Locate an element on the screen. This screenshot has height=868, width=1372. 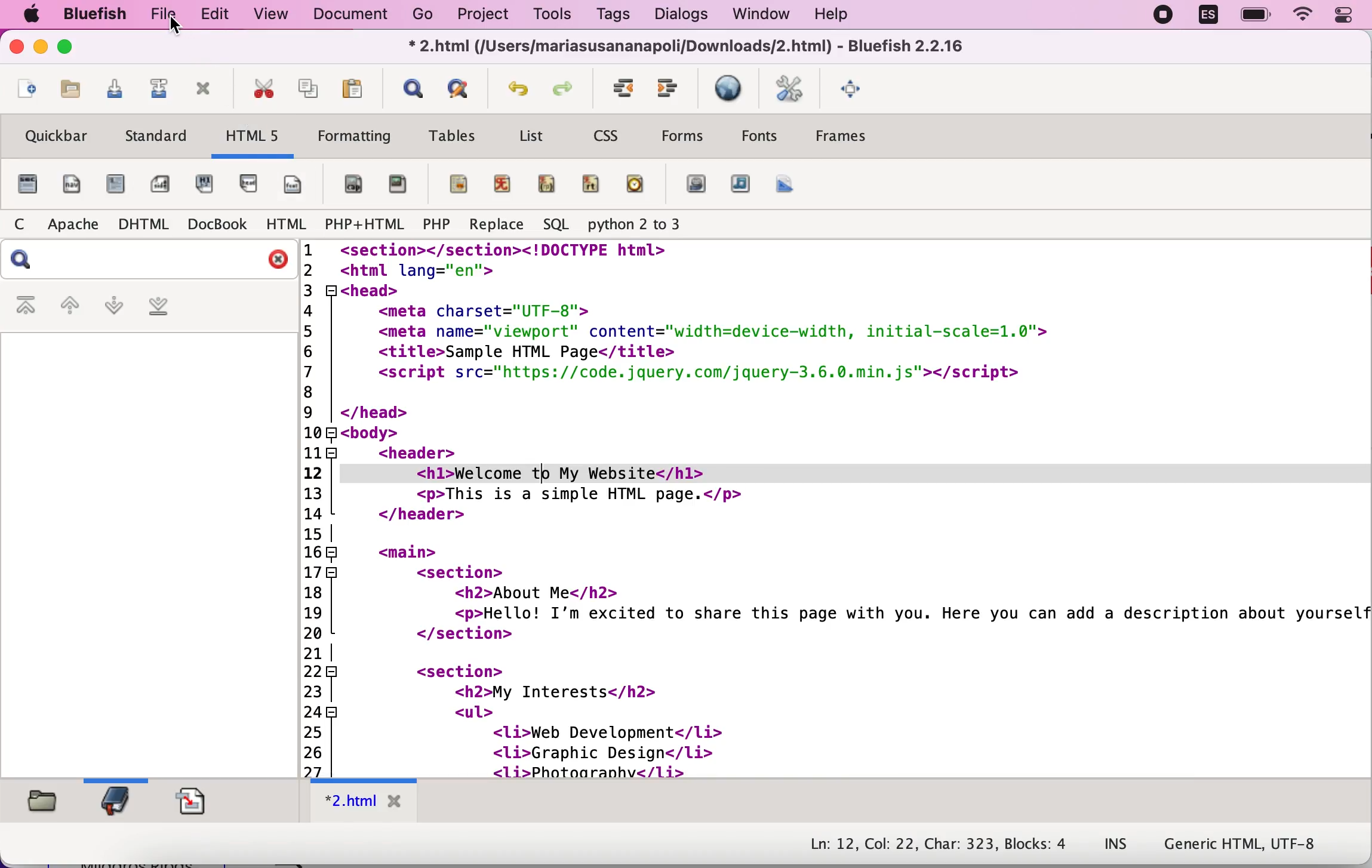
advanced find and replace is located at coordinates (458, 89).